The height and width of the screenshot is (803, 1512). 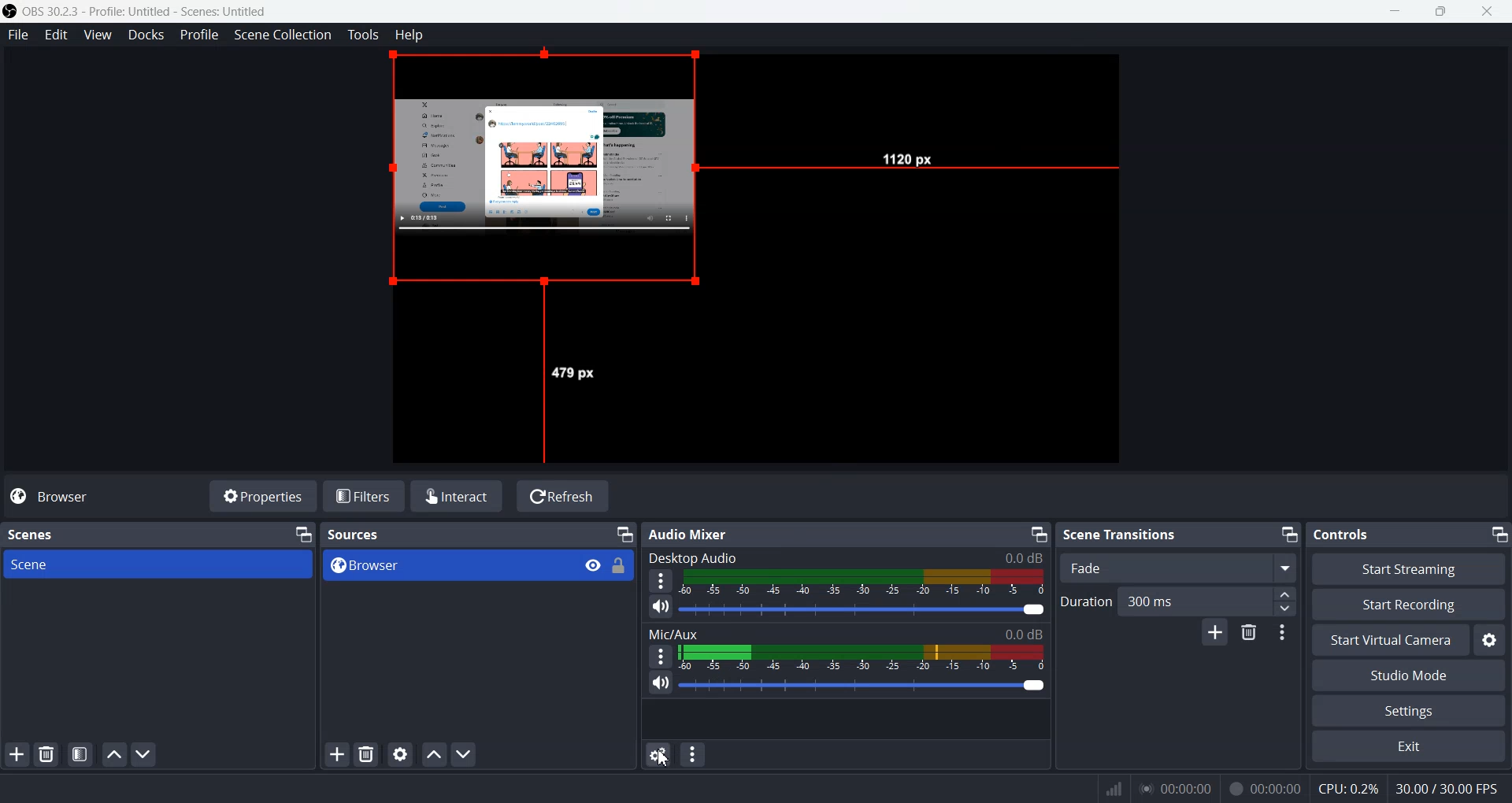 What do you see at coordinates (157, 564) in the screenshot?
I see `Scene` at bounding box center [157, 564].